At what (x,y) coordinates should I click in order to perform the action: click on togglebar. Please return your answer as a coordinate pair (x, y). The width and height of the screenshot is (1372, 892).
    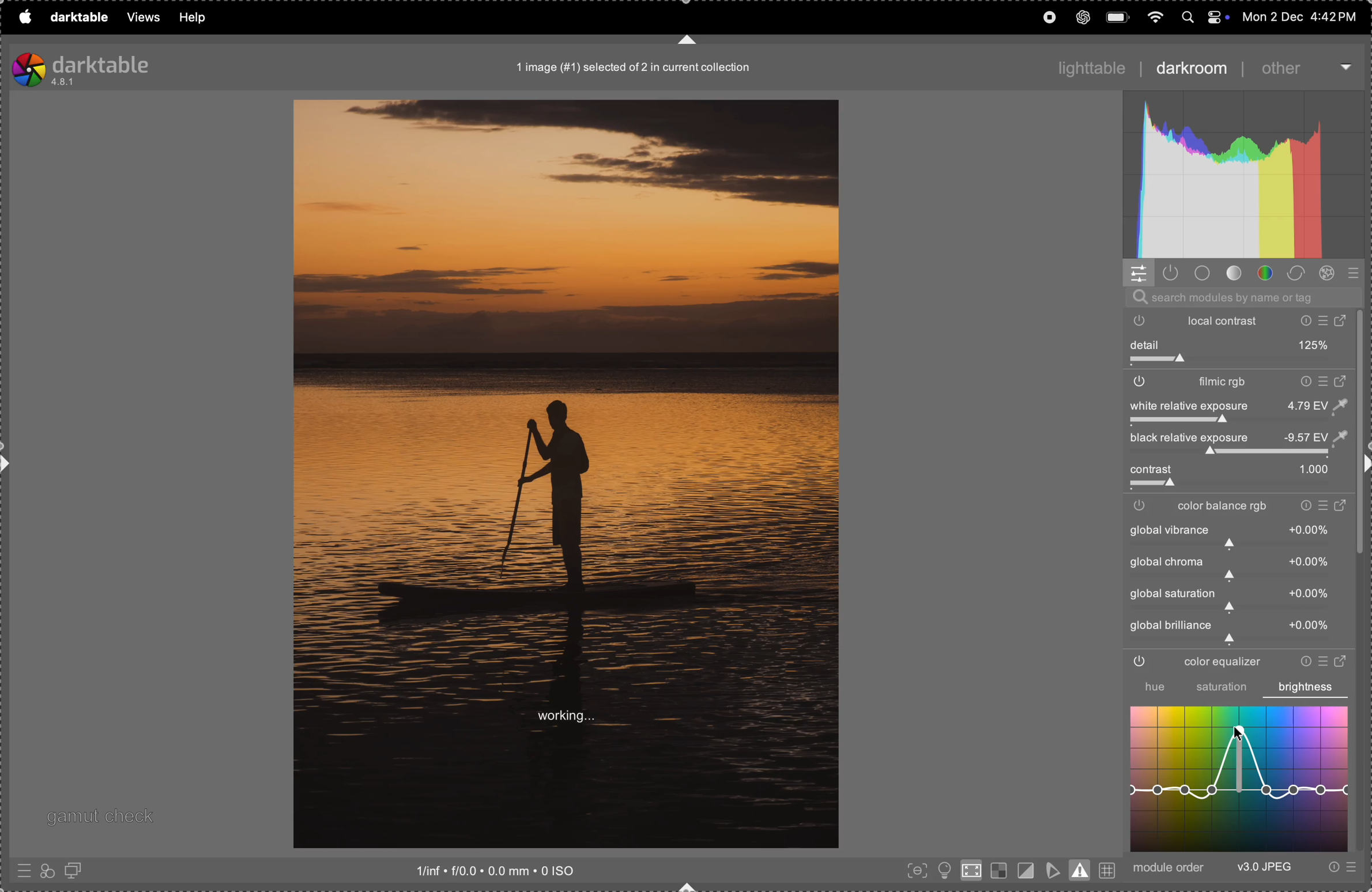
    Looking at the image, I should click on (1232, 453).